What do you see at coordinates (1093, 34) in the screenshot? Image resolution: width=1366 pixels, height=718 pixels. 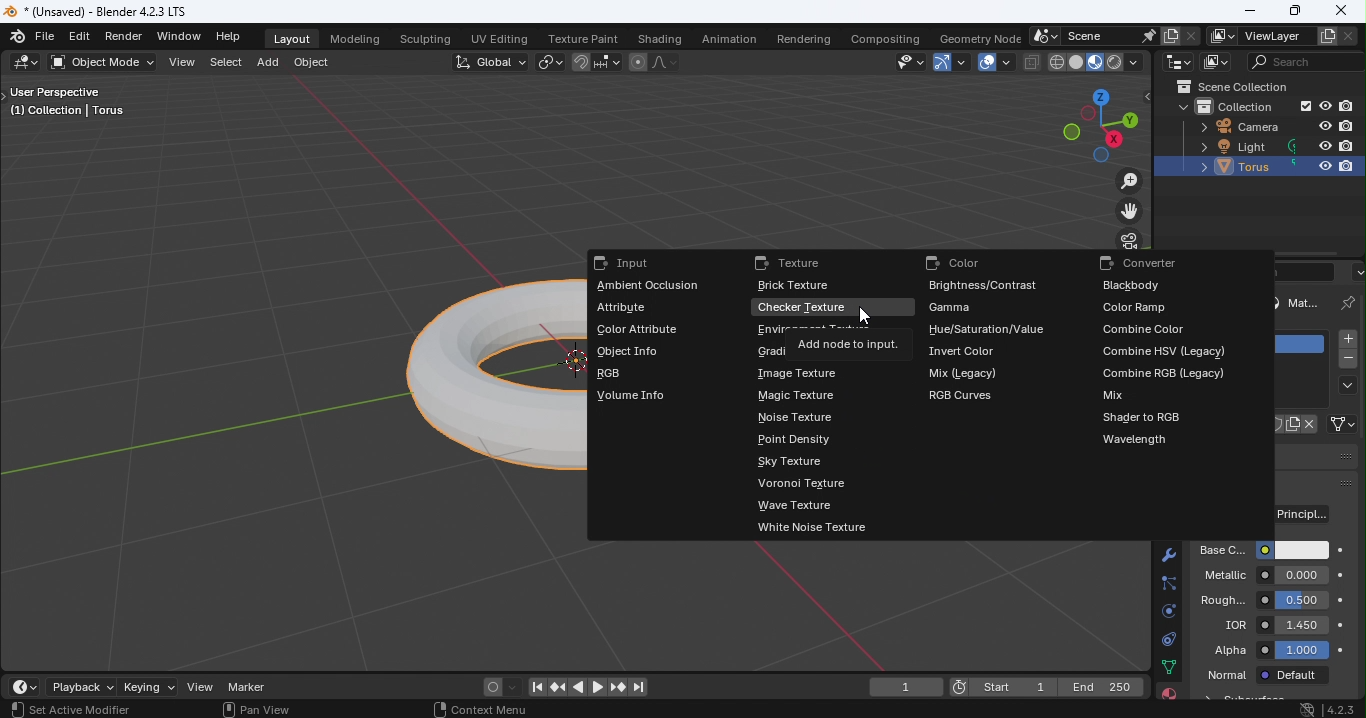 I see `Scene` at bounding box center [1093, 34].